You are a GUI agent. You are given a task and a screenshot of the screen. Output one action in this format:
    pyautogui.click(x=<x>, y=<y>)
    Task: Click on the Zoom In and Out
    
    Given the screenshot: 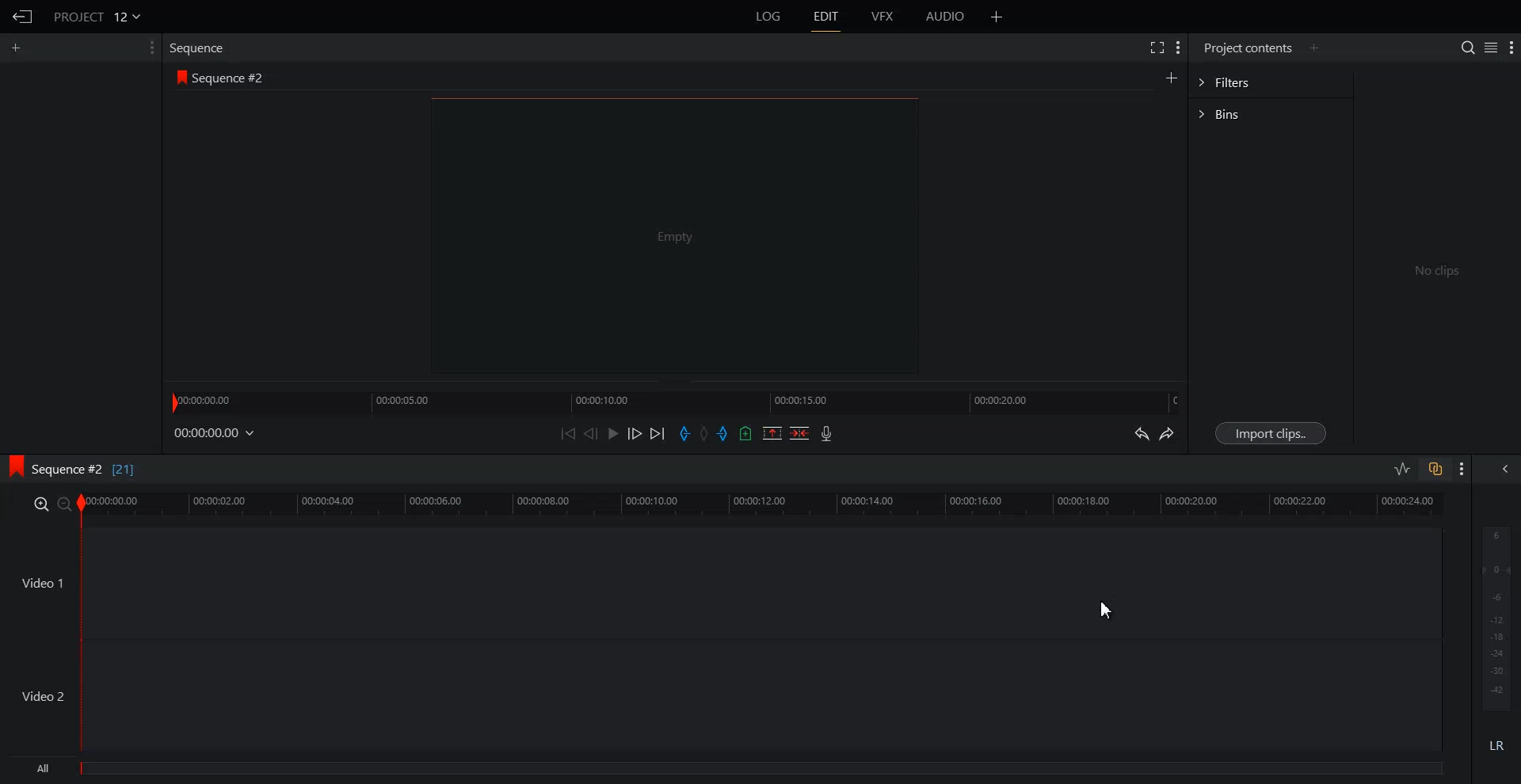 What is the action you would take?
    pyautogui.click(x=52, y=504)
    